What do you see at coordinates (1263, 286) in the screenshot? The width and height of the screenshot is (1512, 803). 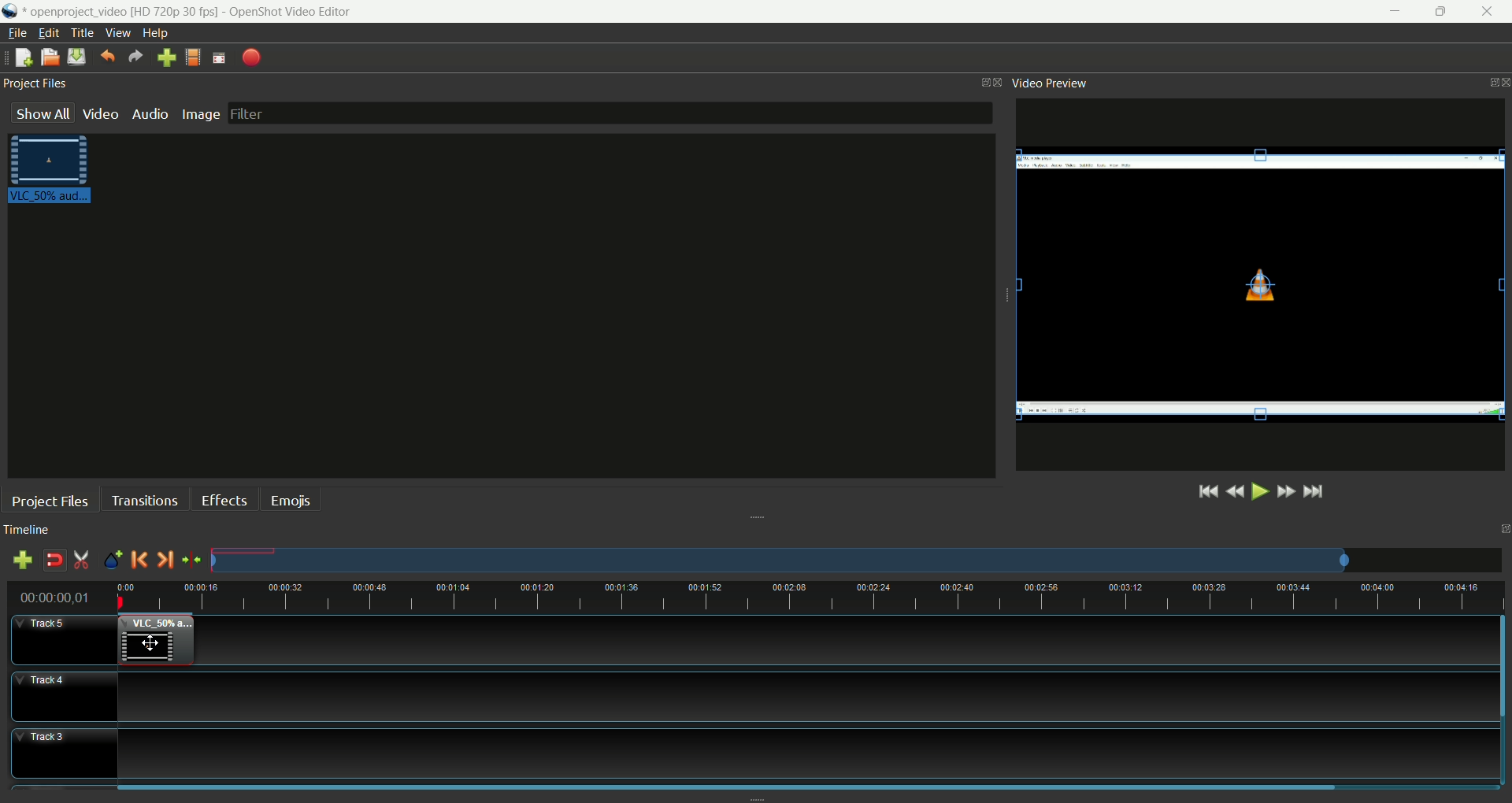 I see `video clip` at bounding box center [1263, 286].